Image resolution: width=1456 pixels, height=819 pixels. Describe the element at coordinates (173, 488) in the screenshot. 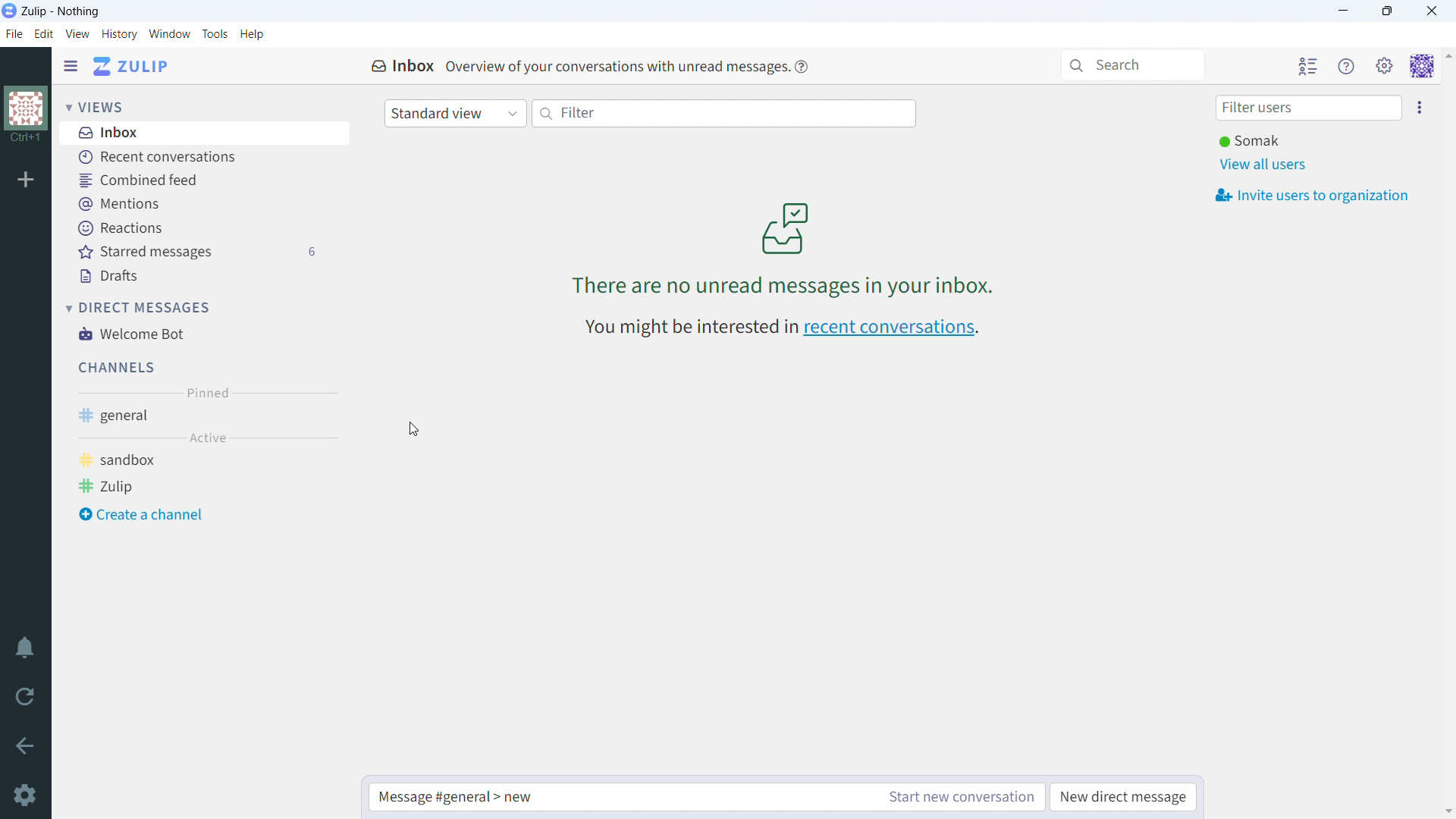

I see `zulip` at that location.